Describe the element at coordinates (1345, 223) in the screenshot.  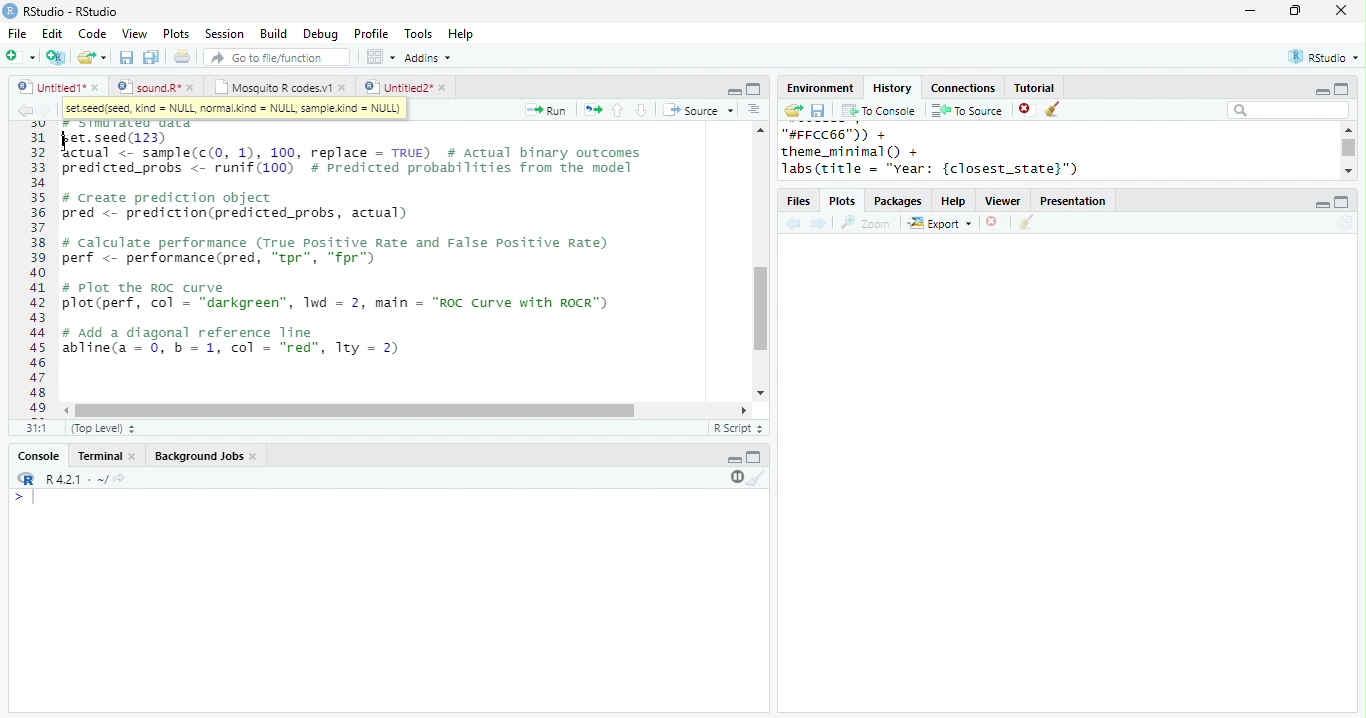
I see `refresh` at that location.